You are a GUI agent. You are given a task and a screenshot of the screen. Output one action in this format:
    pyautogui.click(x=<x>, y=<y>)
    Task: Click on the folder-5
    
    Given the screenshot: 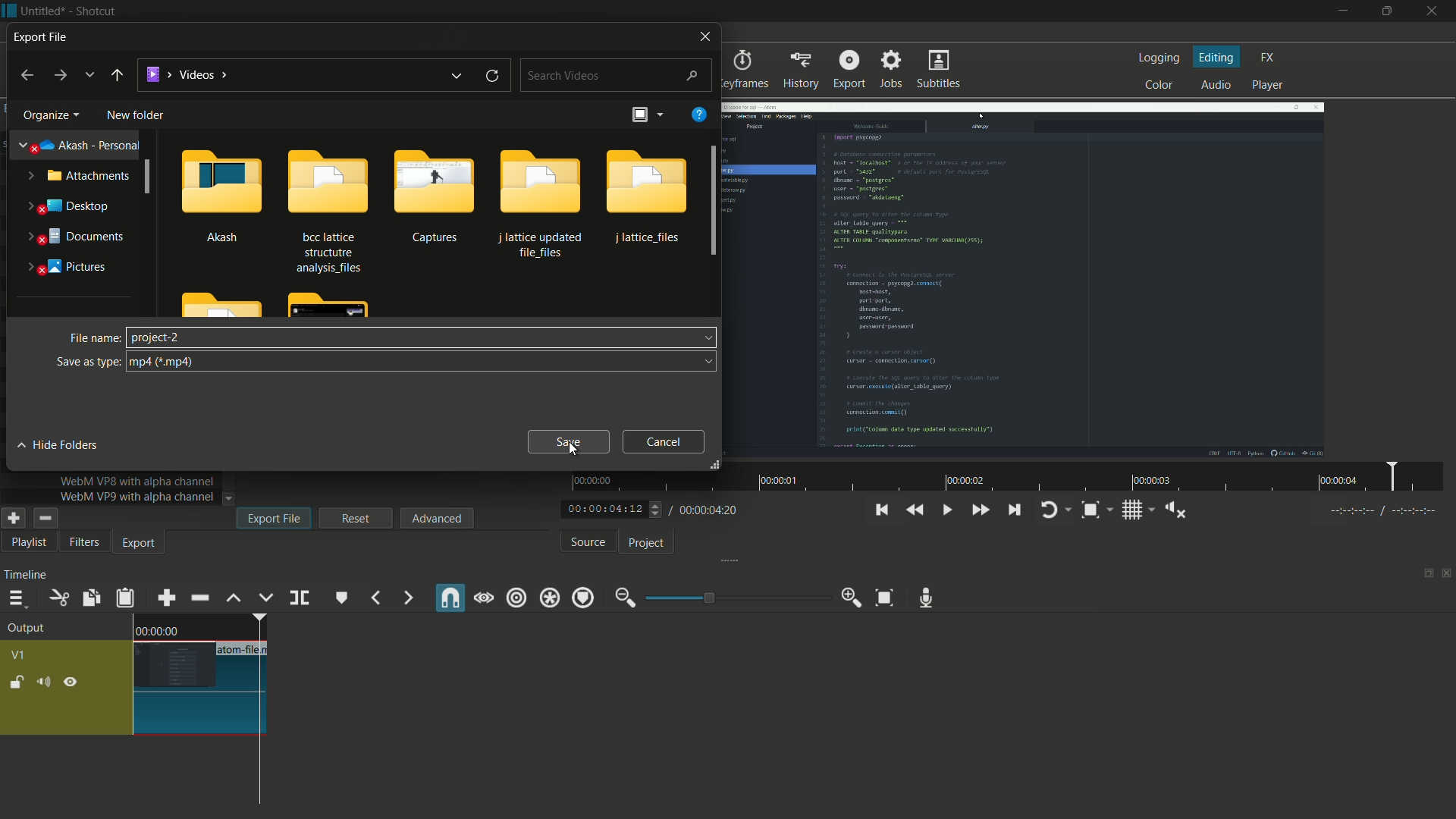 What is the action you would take?
    pyautogui.click(x=648, y=196)
    